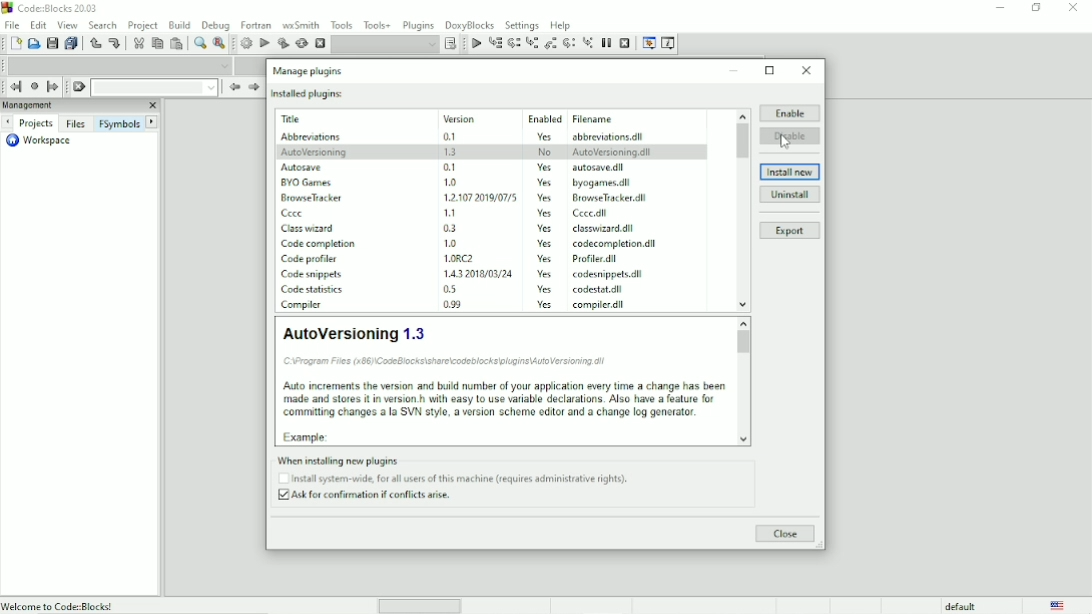 The width and height of the screenshot is (1092, 614). Describe the element at coordinates (609, 137) in the screenshot. I see `abbrevations.dll` at that location.